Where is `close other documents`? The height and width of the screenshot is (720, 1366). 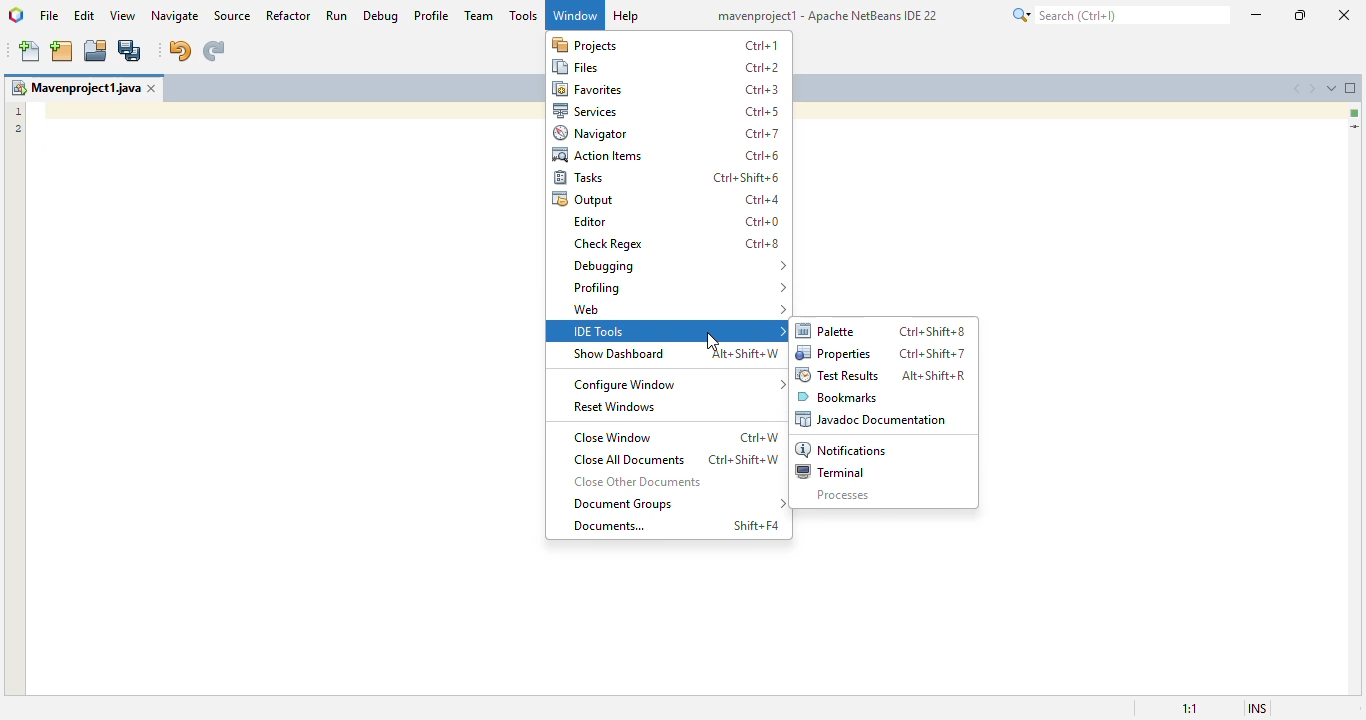
close other documents is located at coordinates (639, 481).